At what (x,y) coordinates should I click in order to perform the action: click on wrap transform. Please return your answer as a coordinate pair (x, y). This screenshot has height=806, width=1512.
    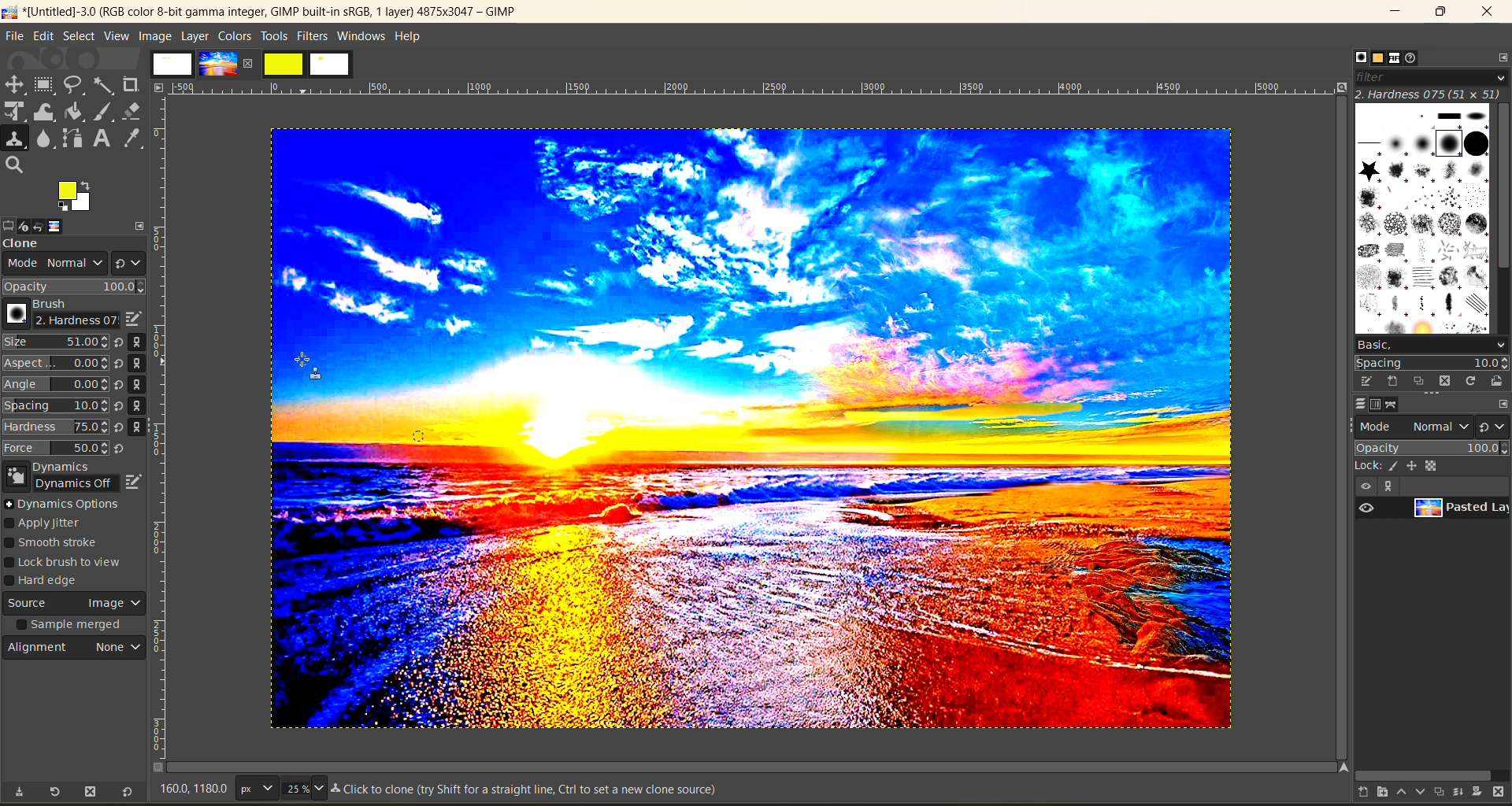
    Looking at the image, I should click on (46, 113).